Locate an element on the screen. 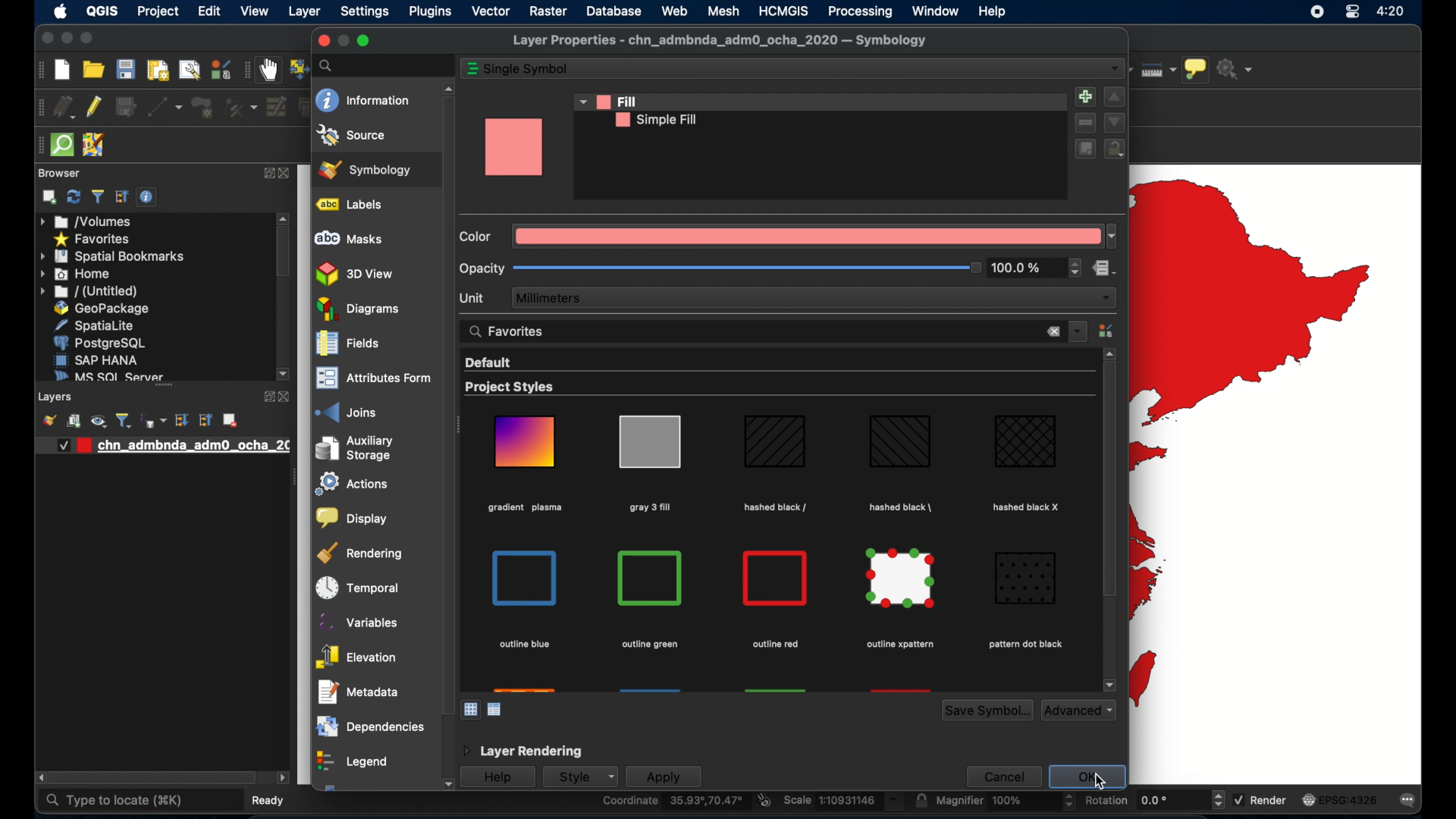 The height and width of the screenshot is (819, 1456). outline blue is located at coordinates (524, 645).